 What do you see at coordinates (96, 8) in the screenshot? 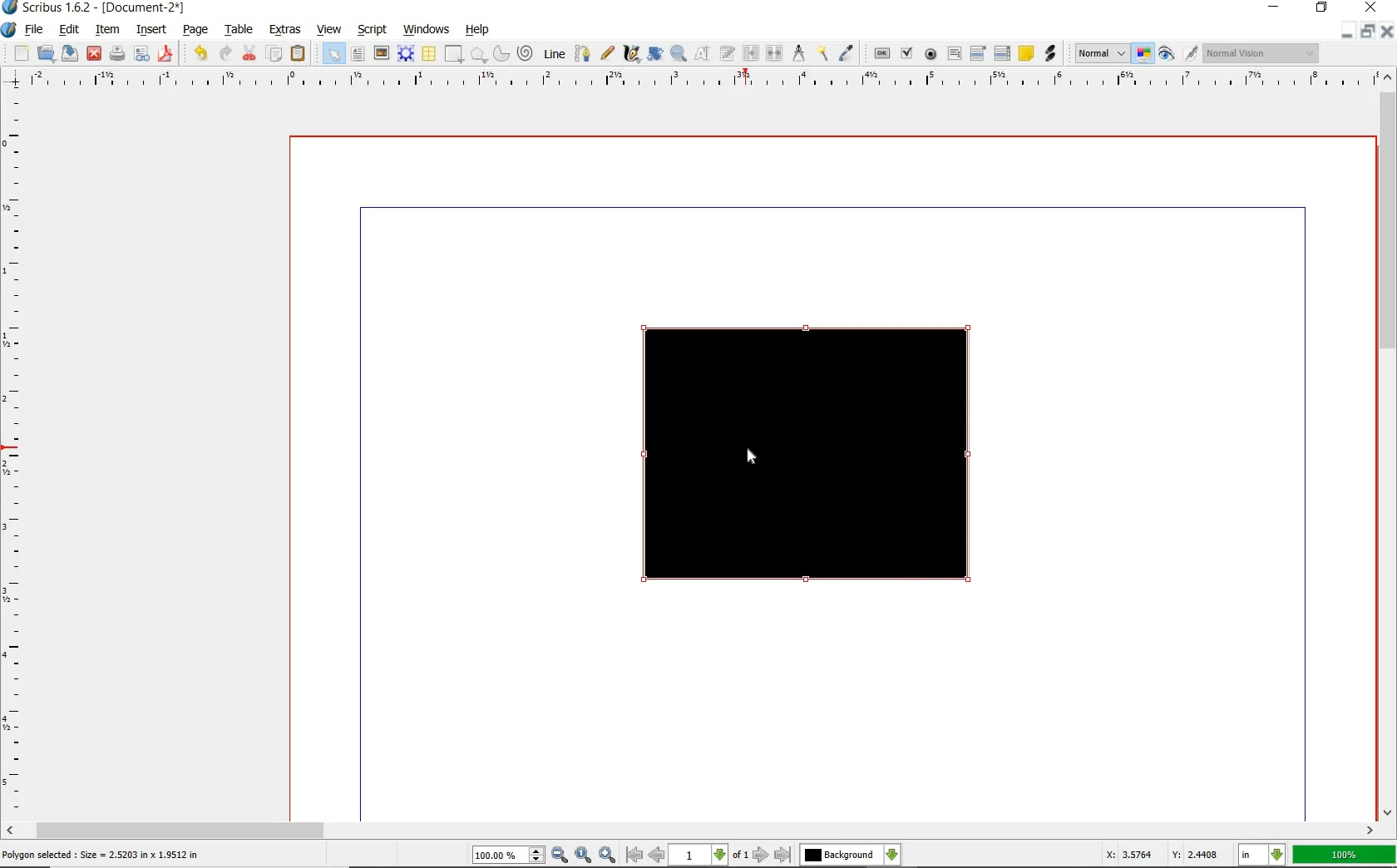
I see `Scribus 1.6.2 - [Document-2*]` at bounding box center [96, 8].